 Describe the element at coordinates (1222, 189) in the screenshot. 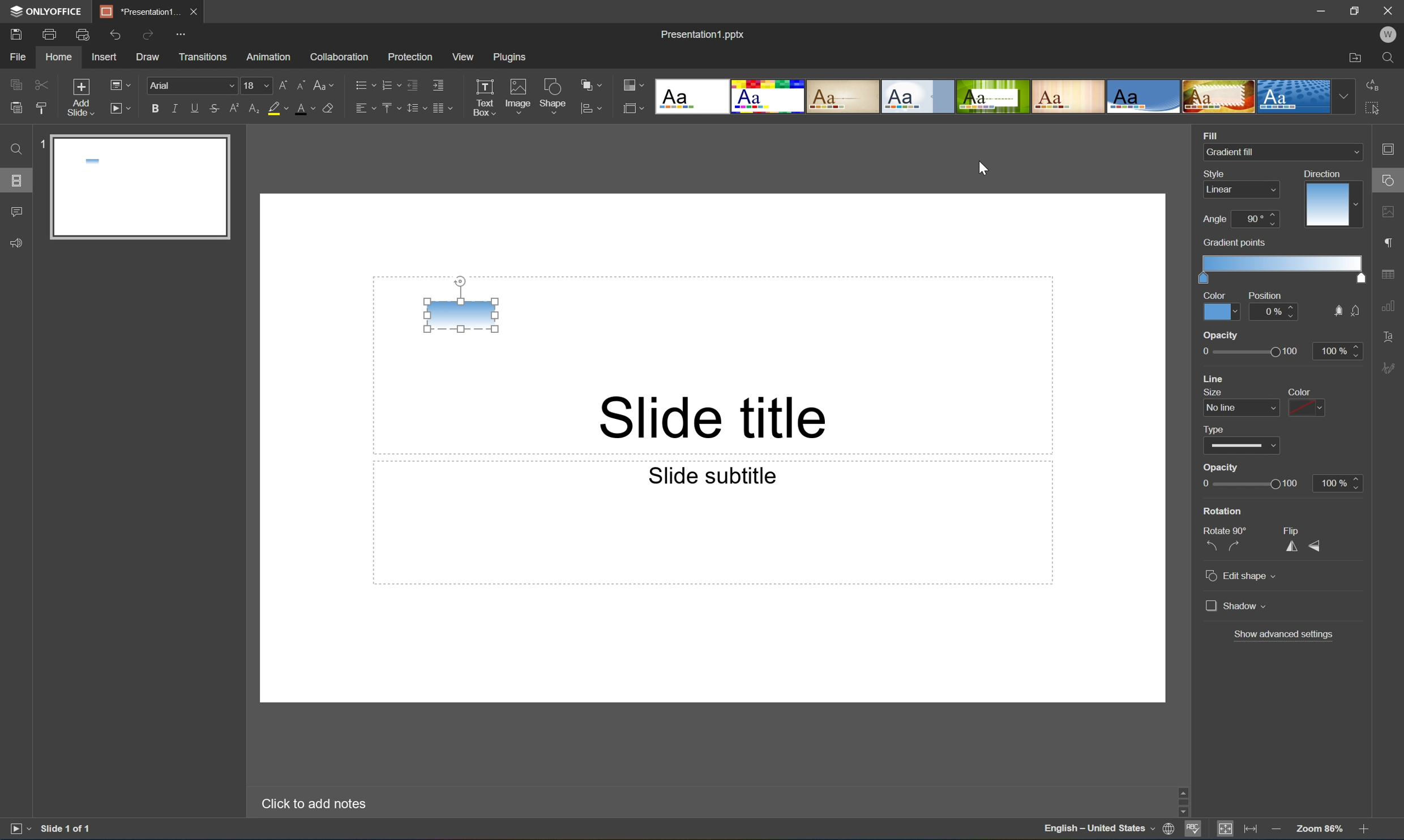

I see `Linear` at that location.